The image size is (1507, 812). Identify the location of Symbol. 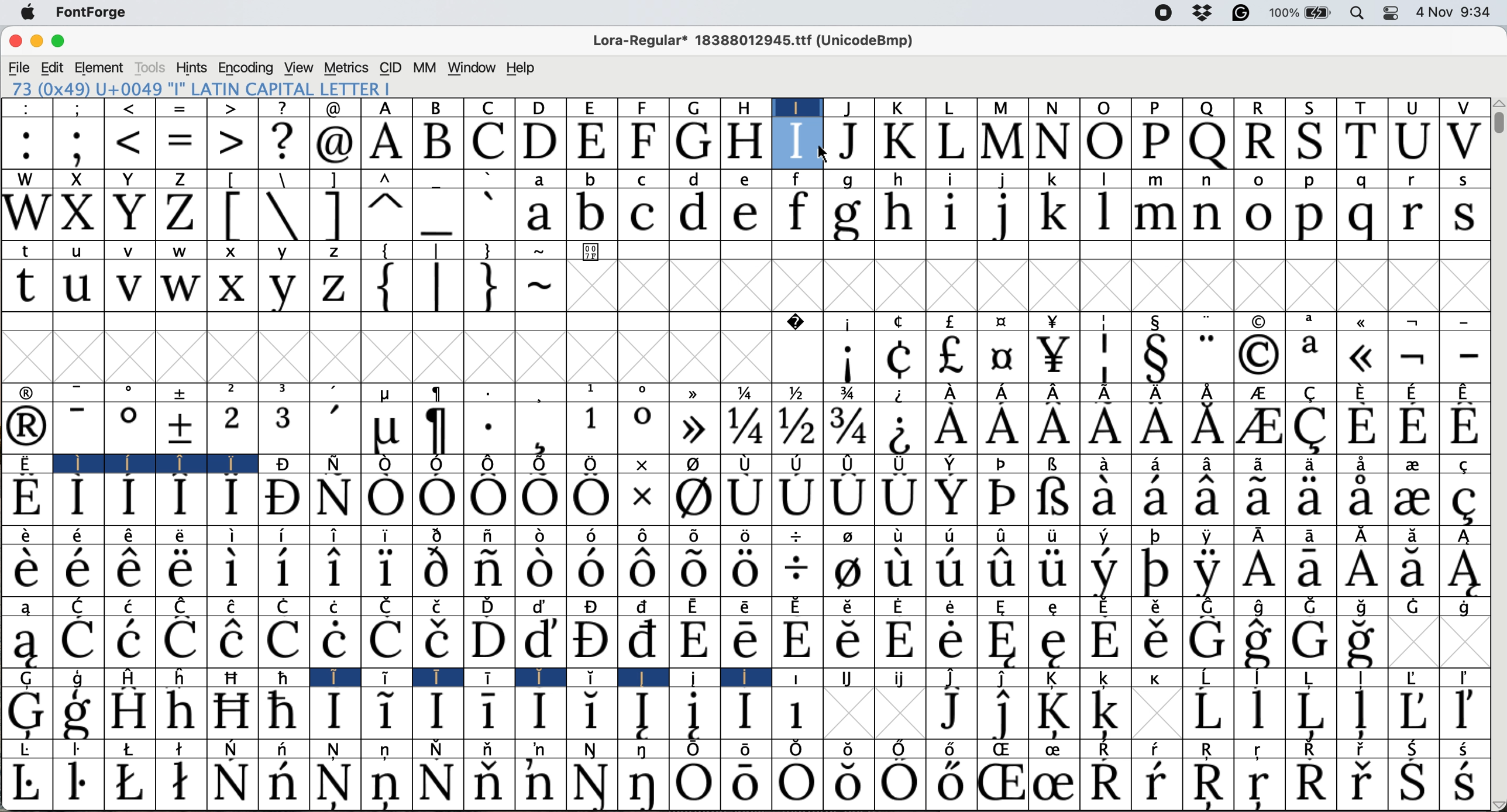
(542, 429).